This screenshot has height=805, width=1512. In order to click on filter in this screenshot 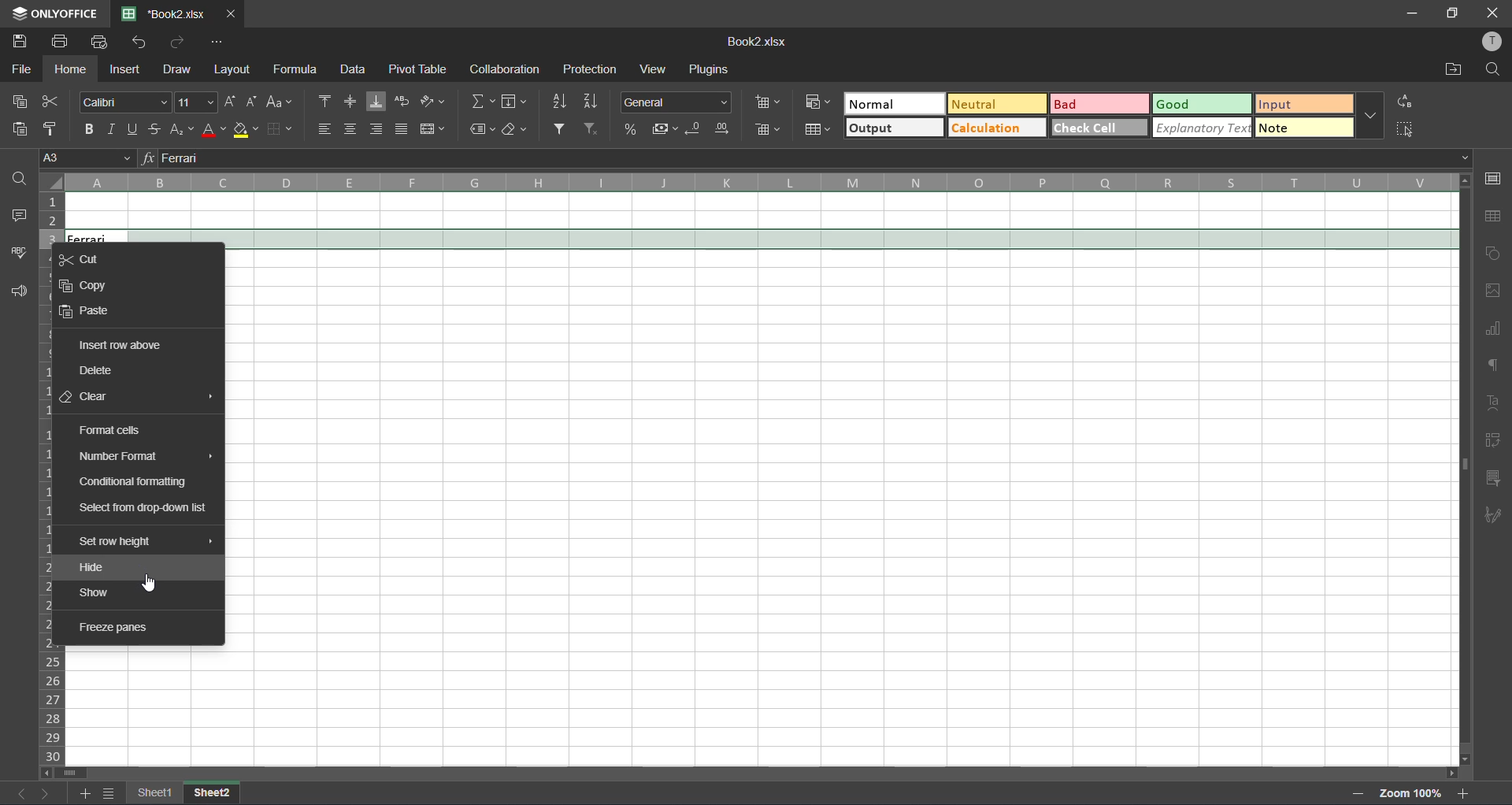, I will do `click(561, 128)`.